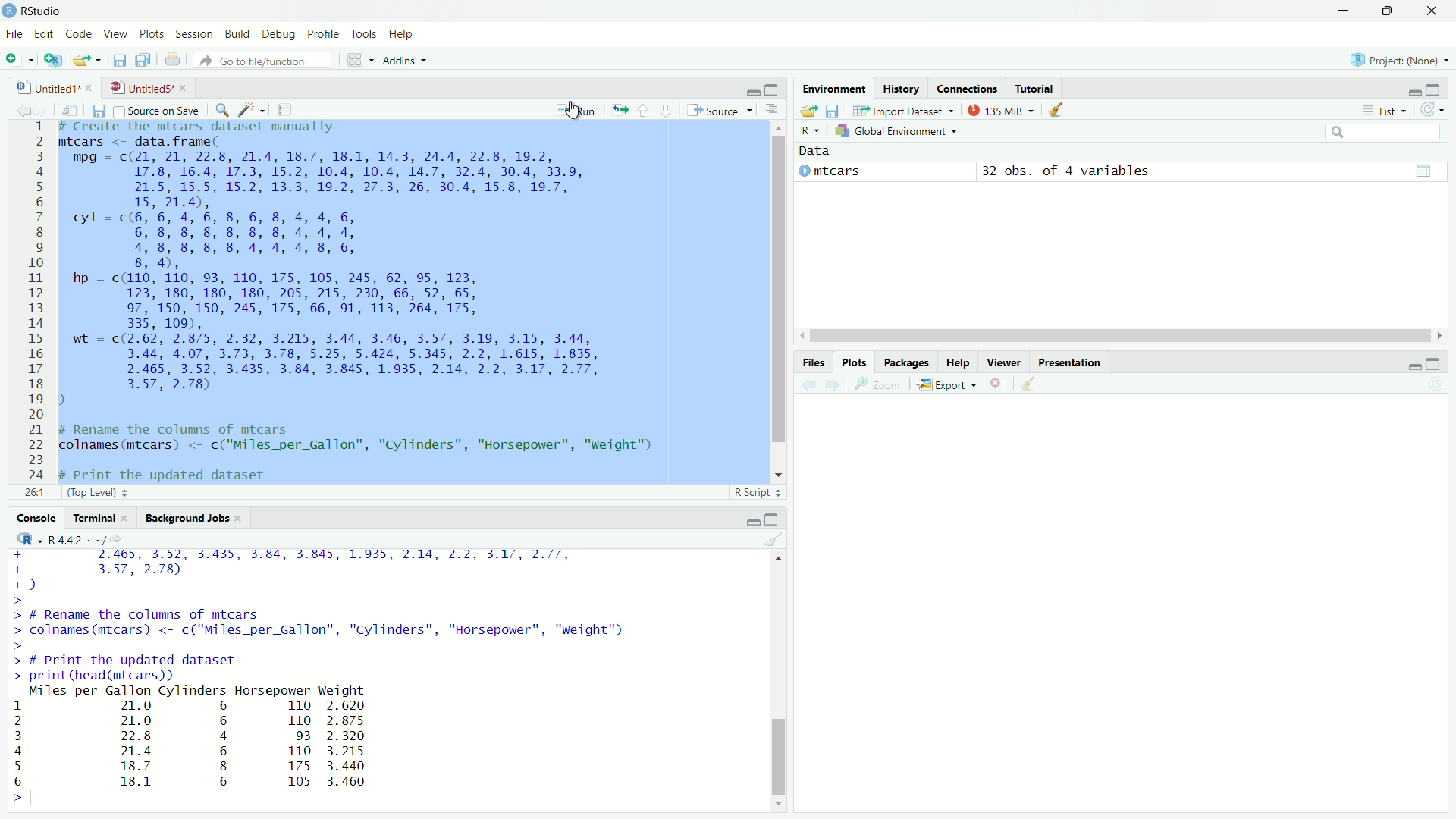 The height and width of the screenshot is (819, 1456). What do you see at coordinates (1436, 361) in the screenshot?
I see `maximise` at bounding box center [1436, 361].